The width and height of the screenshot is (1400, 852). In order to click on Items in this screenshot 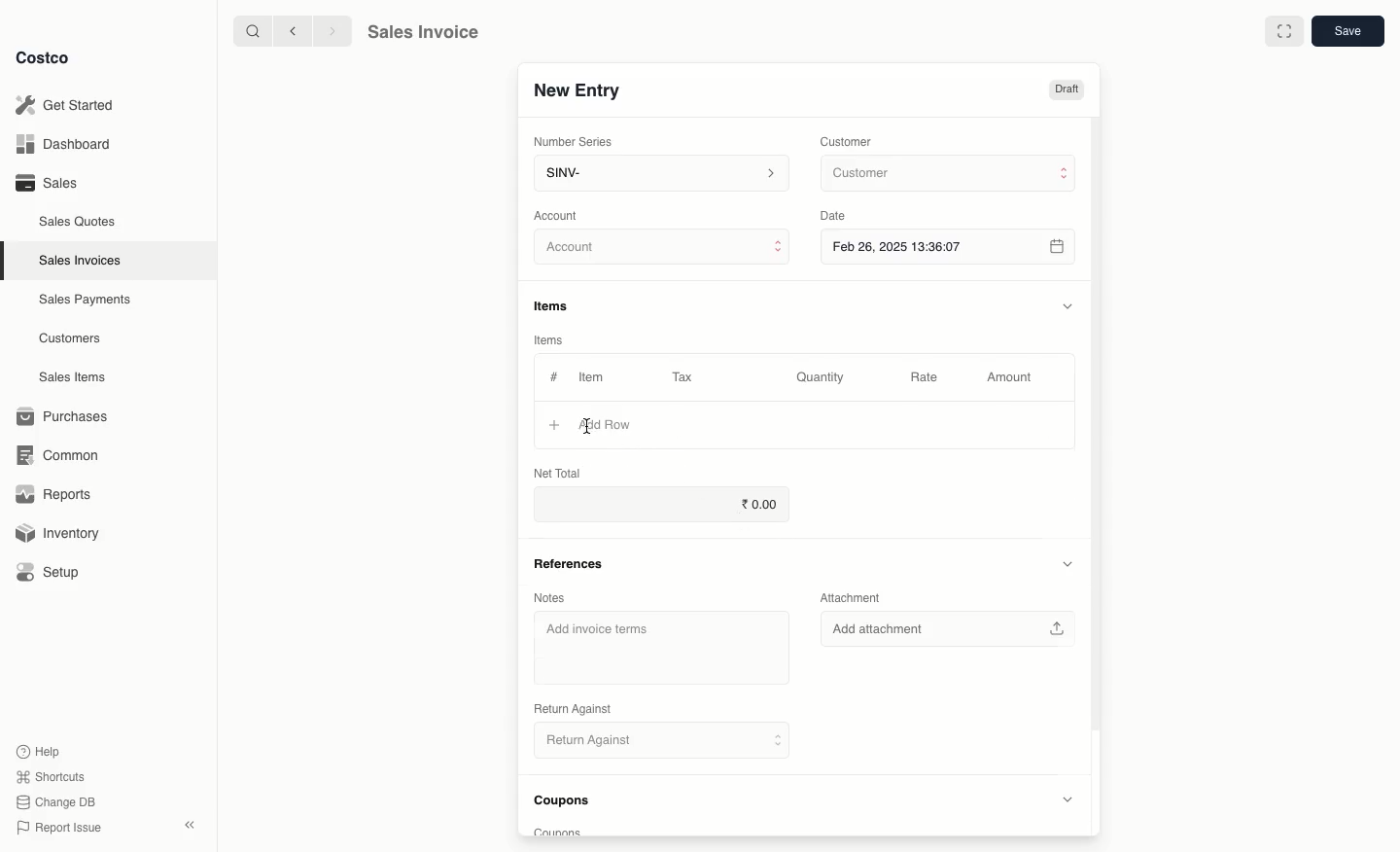, I will do `click(558, 305)`.